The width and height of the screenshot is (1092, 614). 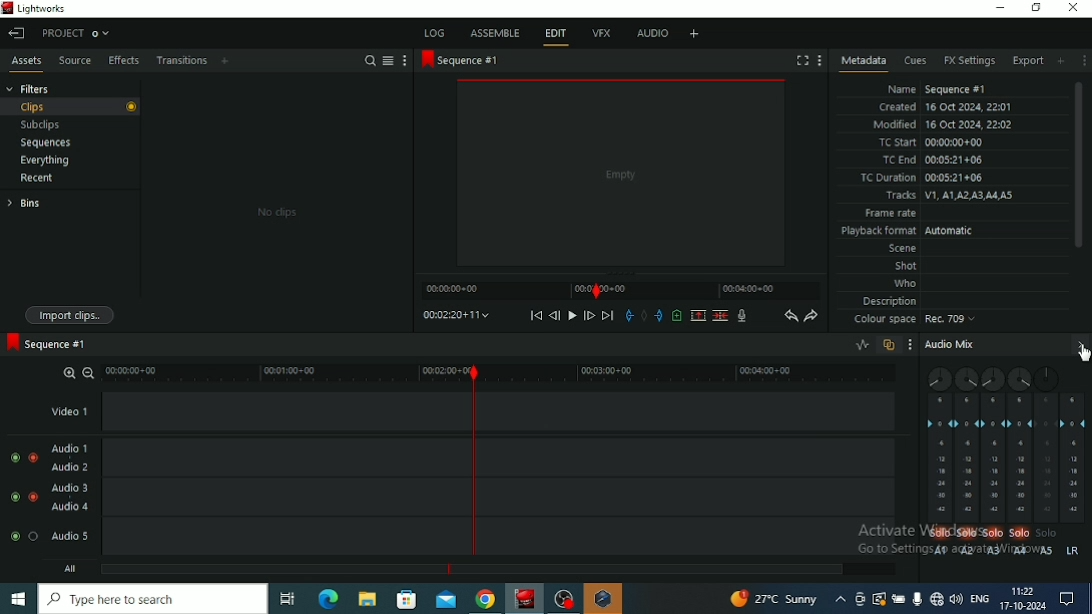 I want to click on Solo this track, so click(x=993, y=534).